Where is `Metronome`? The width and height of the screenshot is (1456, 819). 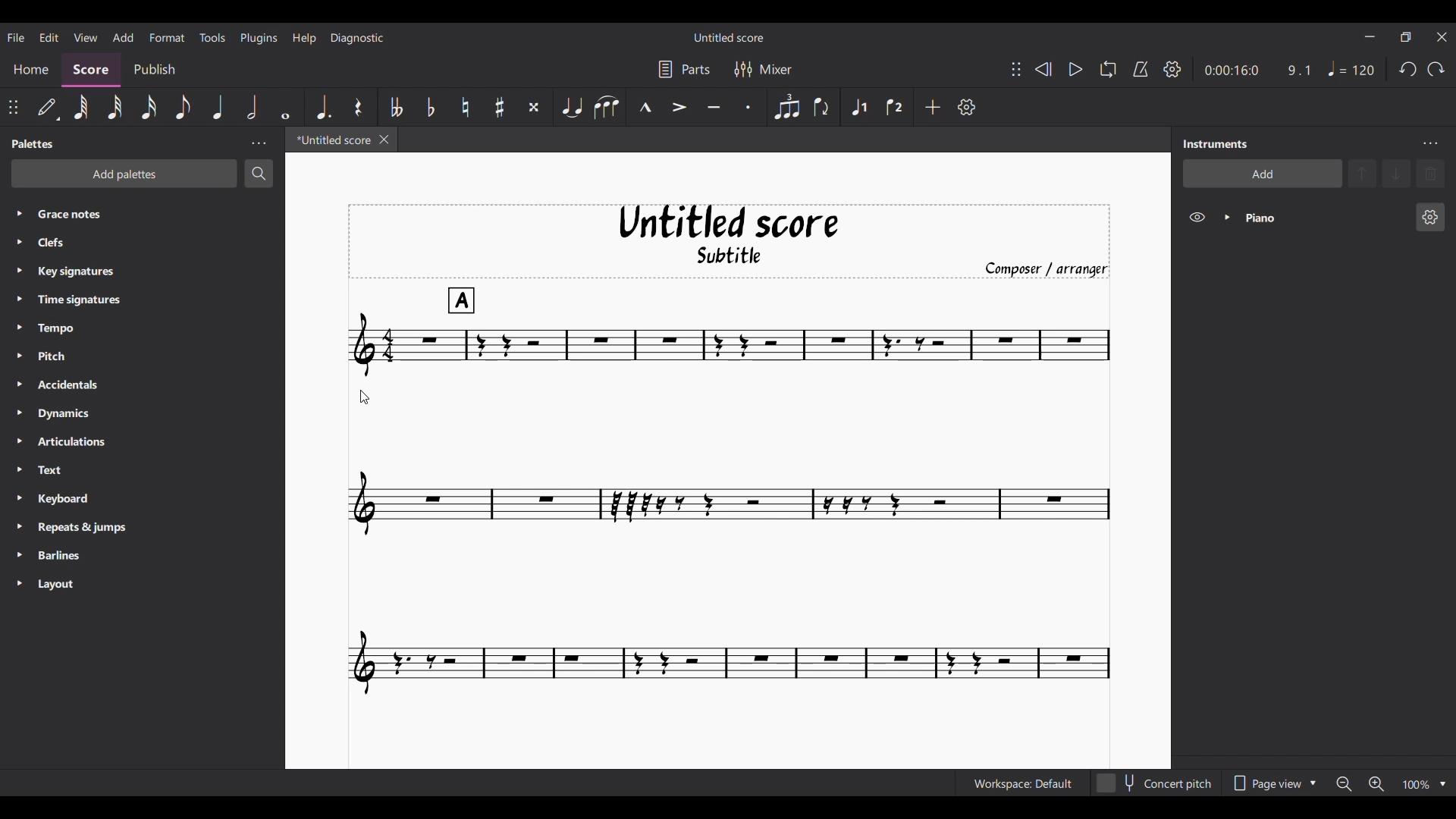 Metronome is located at coordinates (1141, 69).